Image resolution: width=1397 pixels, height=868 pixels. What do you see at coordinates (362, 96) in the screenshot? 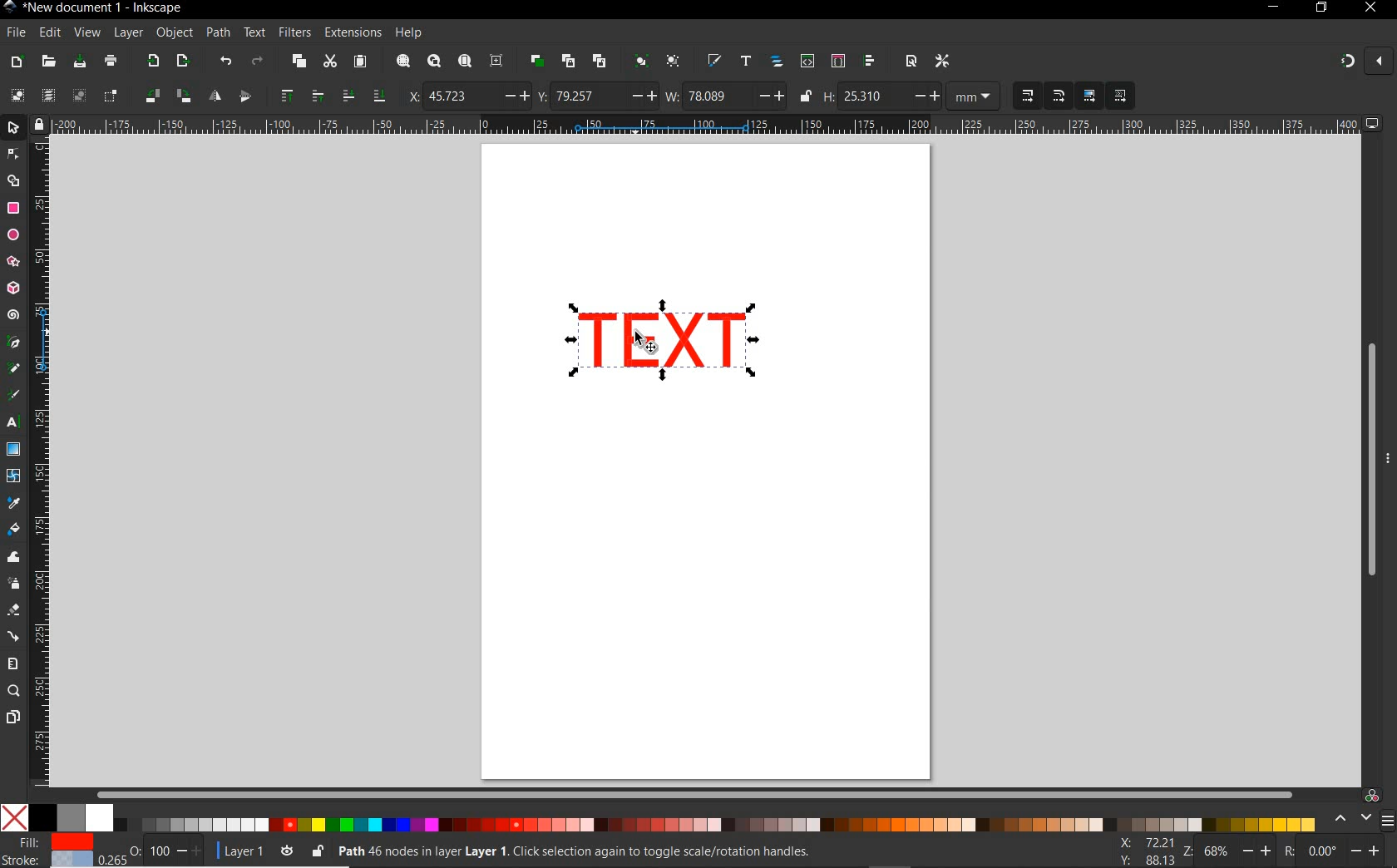
I see `LOWER SELECTION` at bounding box center [362, 96].